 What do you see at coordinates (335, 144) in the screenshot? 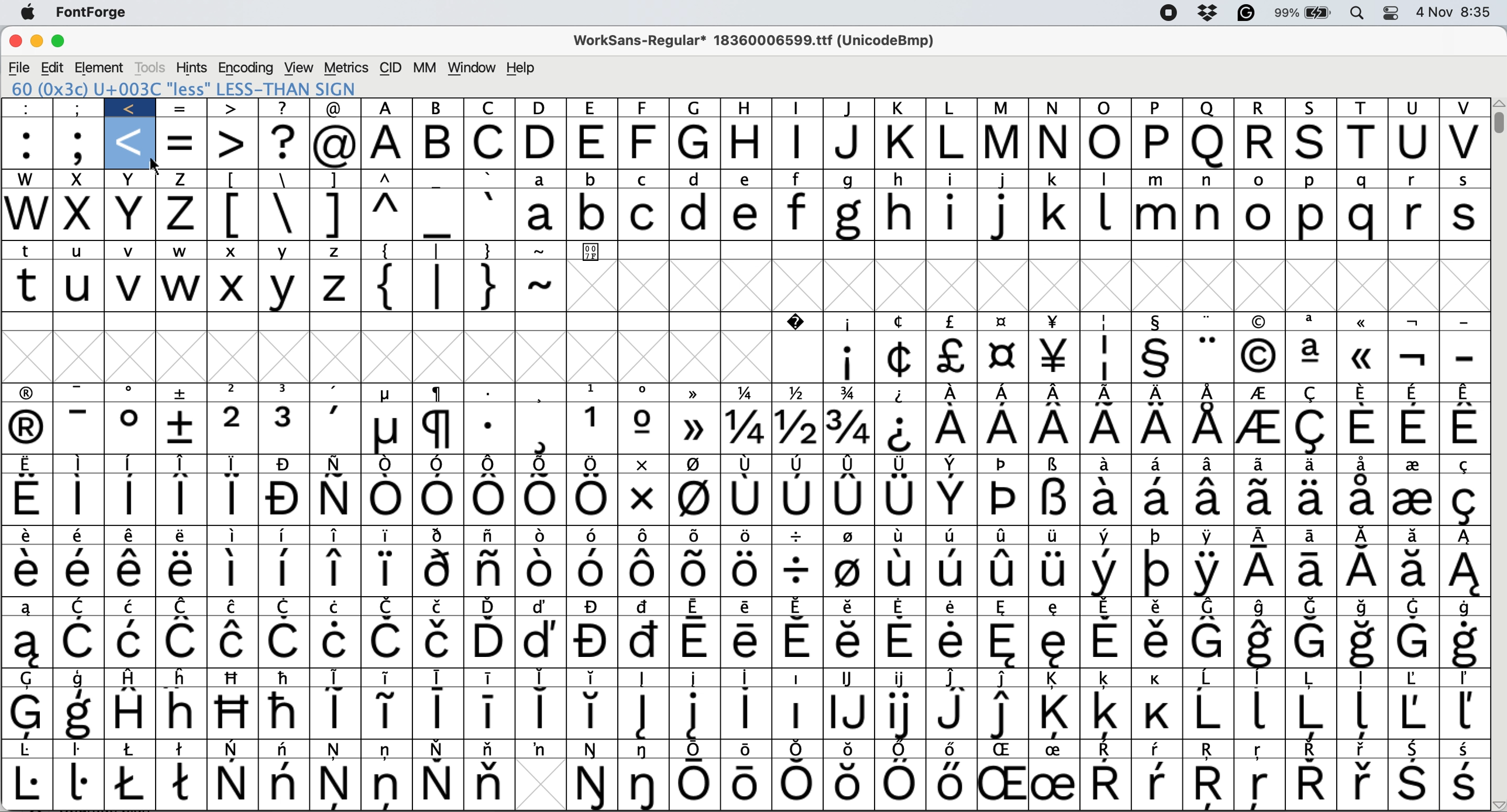
I see `@` at bounding box center [335, 144].